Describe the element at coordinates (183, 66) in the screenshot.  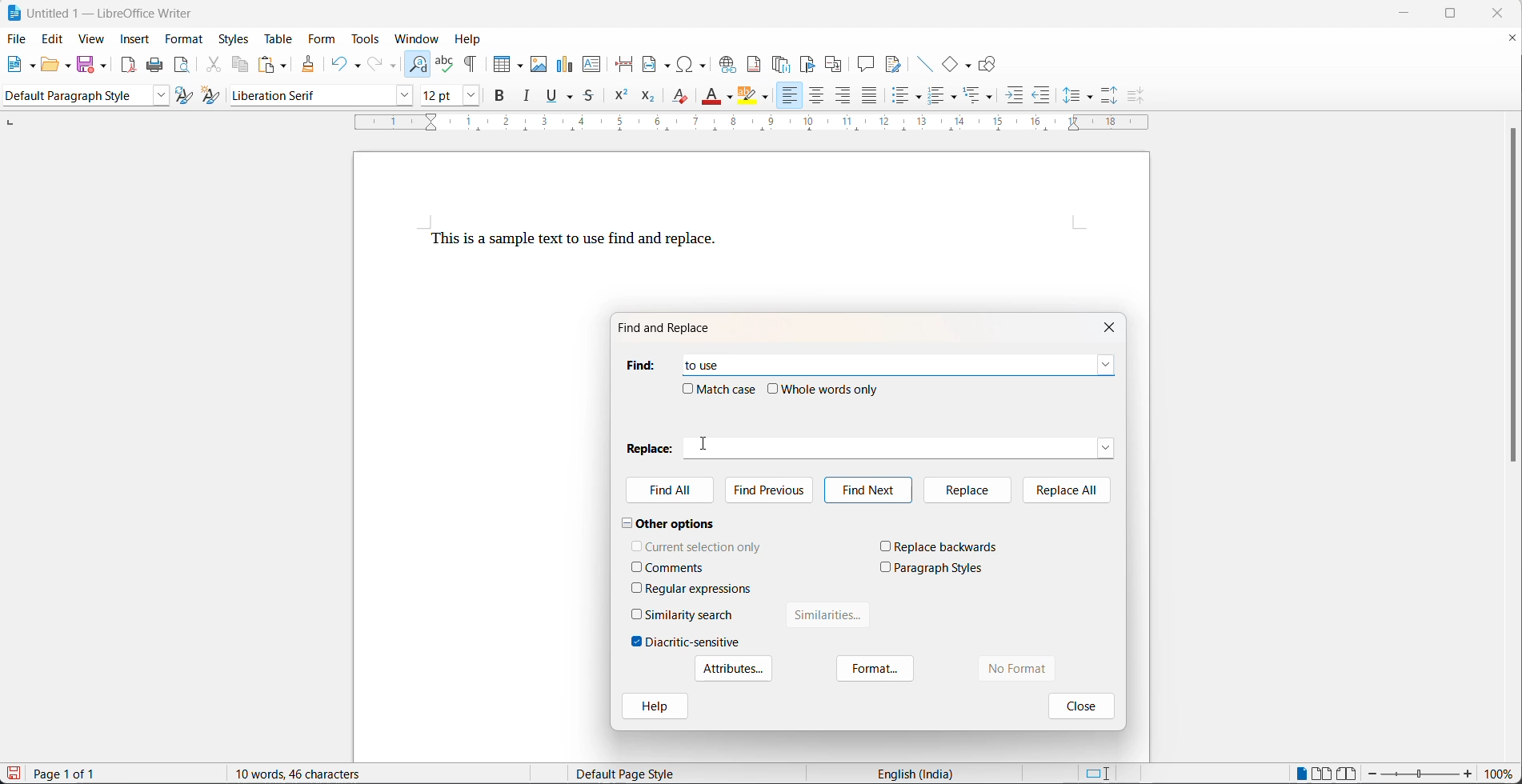
I see `print preview` at that location.